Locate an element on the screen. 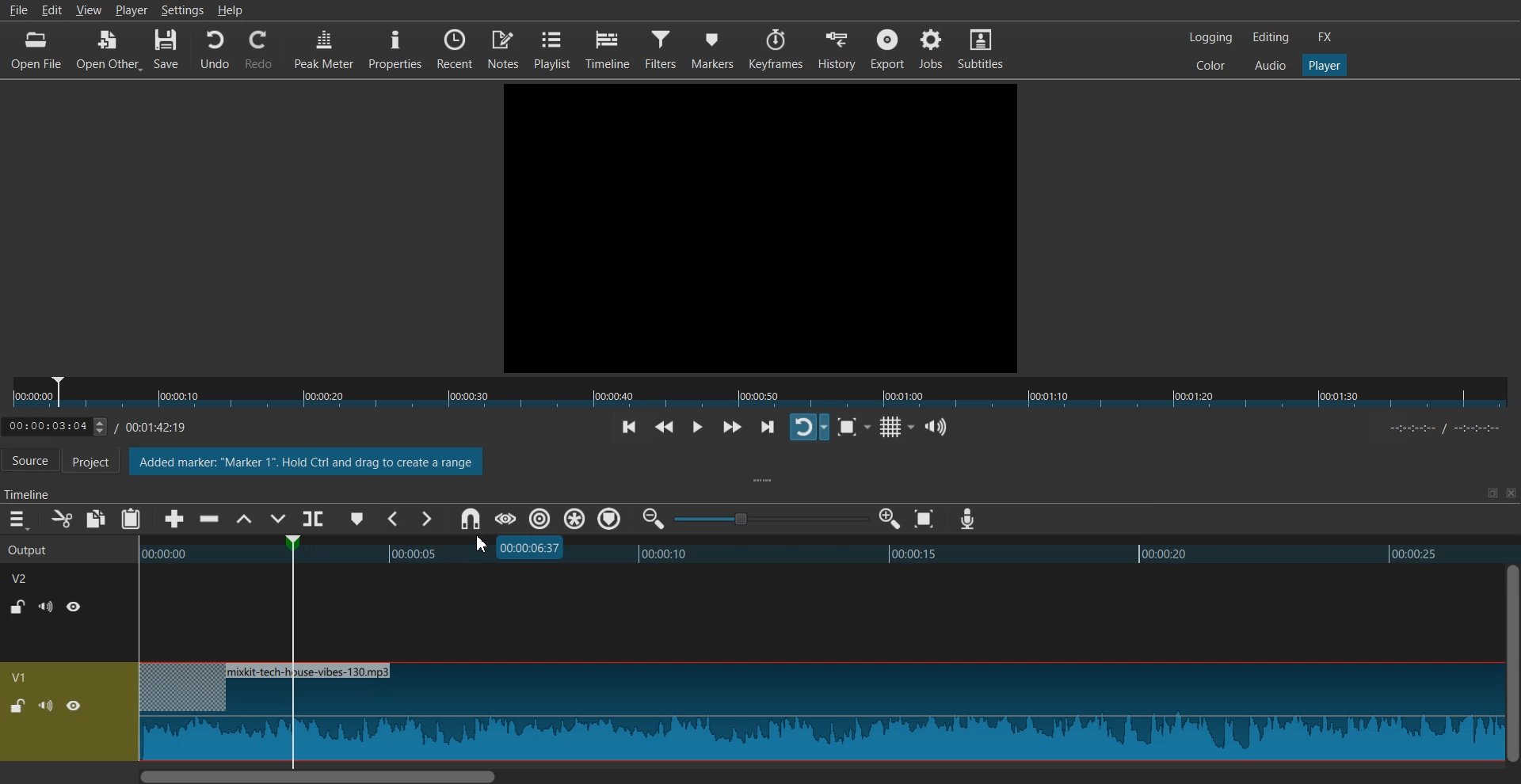  Editing is located at coordinates (1271, 36).